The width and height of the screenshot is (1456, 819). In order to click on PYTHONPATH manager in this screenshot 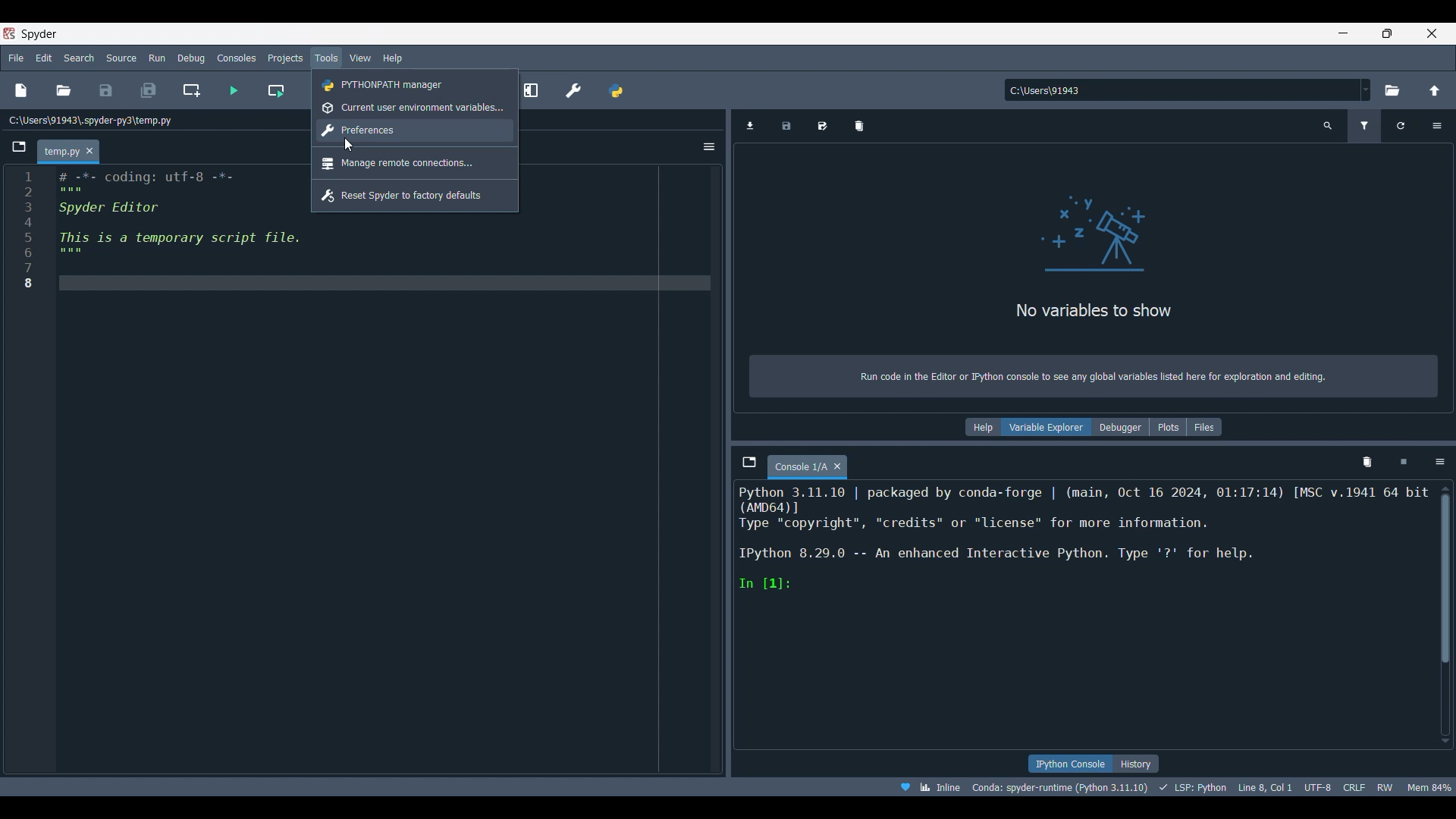, I will do `click(415, 84)`.